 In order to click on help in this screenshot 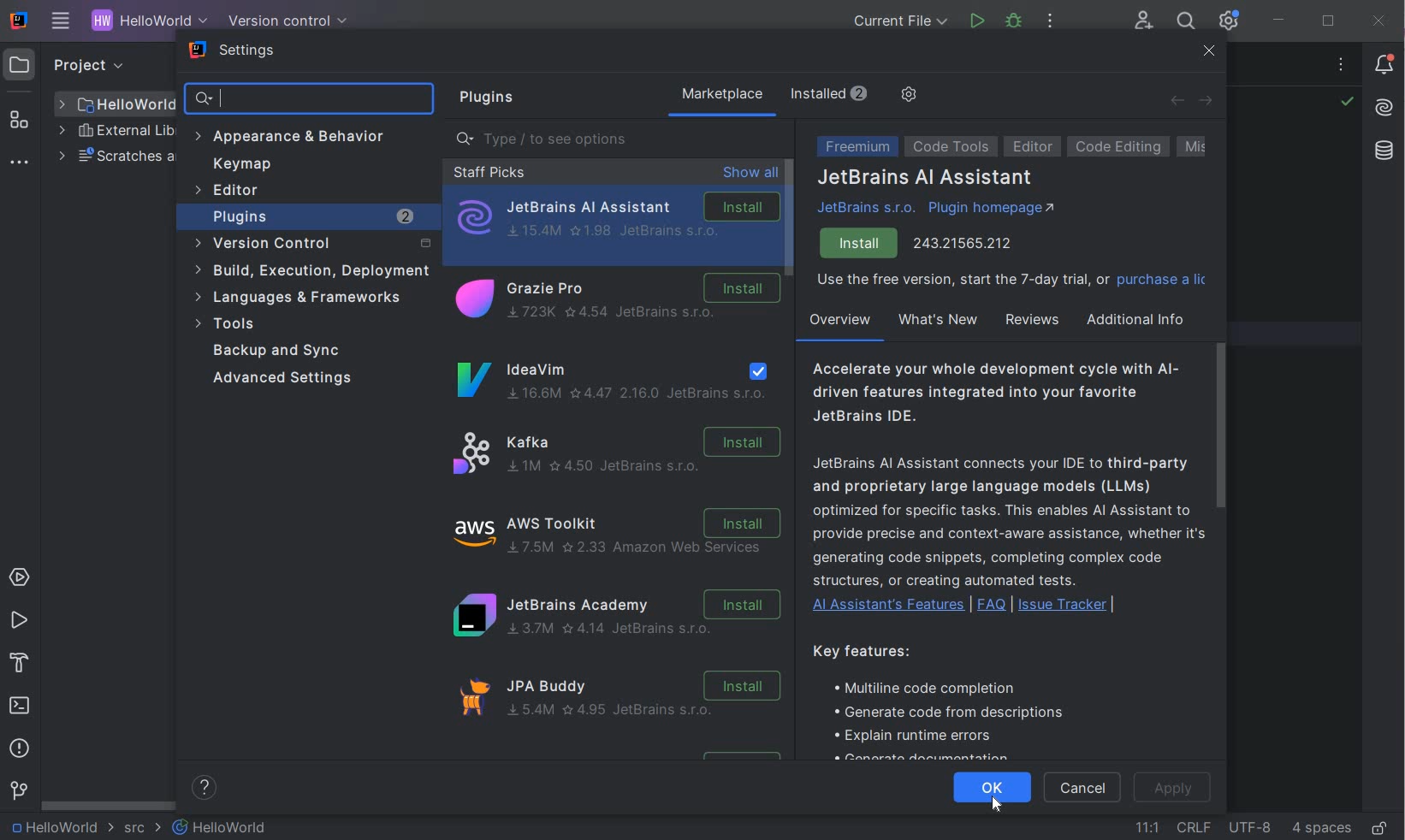, I will do `click(207, 788)`.